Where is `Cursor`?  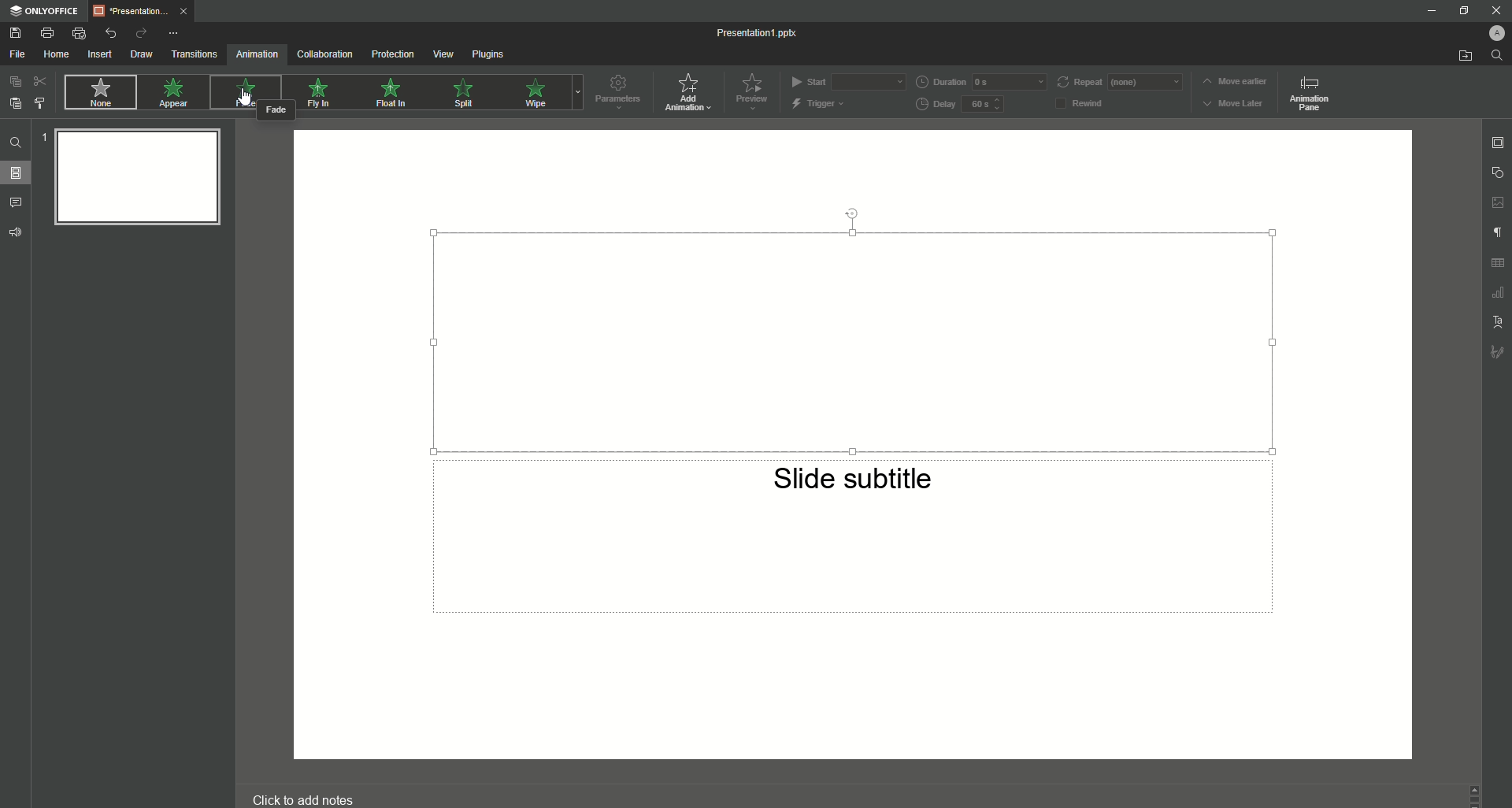 Cursor is located at coordinates (239, 98).